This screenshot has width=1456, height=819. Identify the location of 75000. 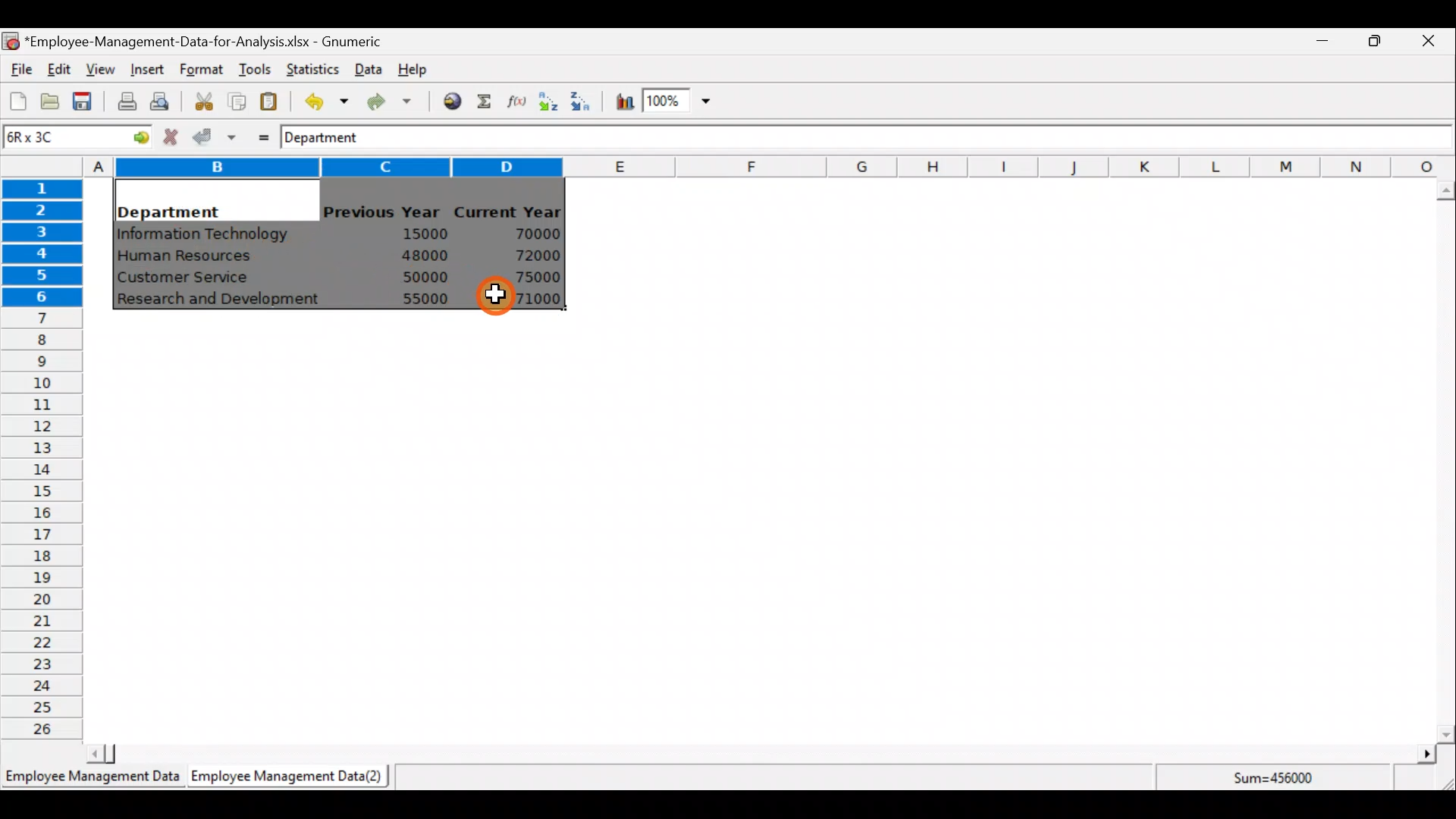
(529, 278).